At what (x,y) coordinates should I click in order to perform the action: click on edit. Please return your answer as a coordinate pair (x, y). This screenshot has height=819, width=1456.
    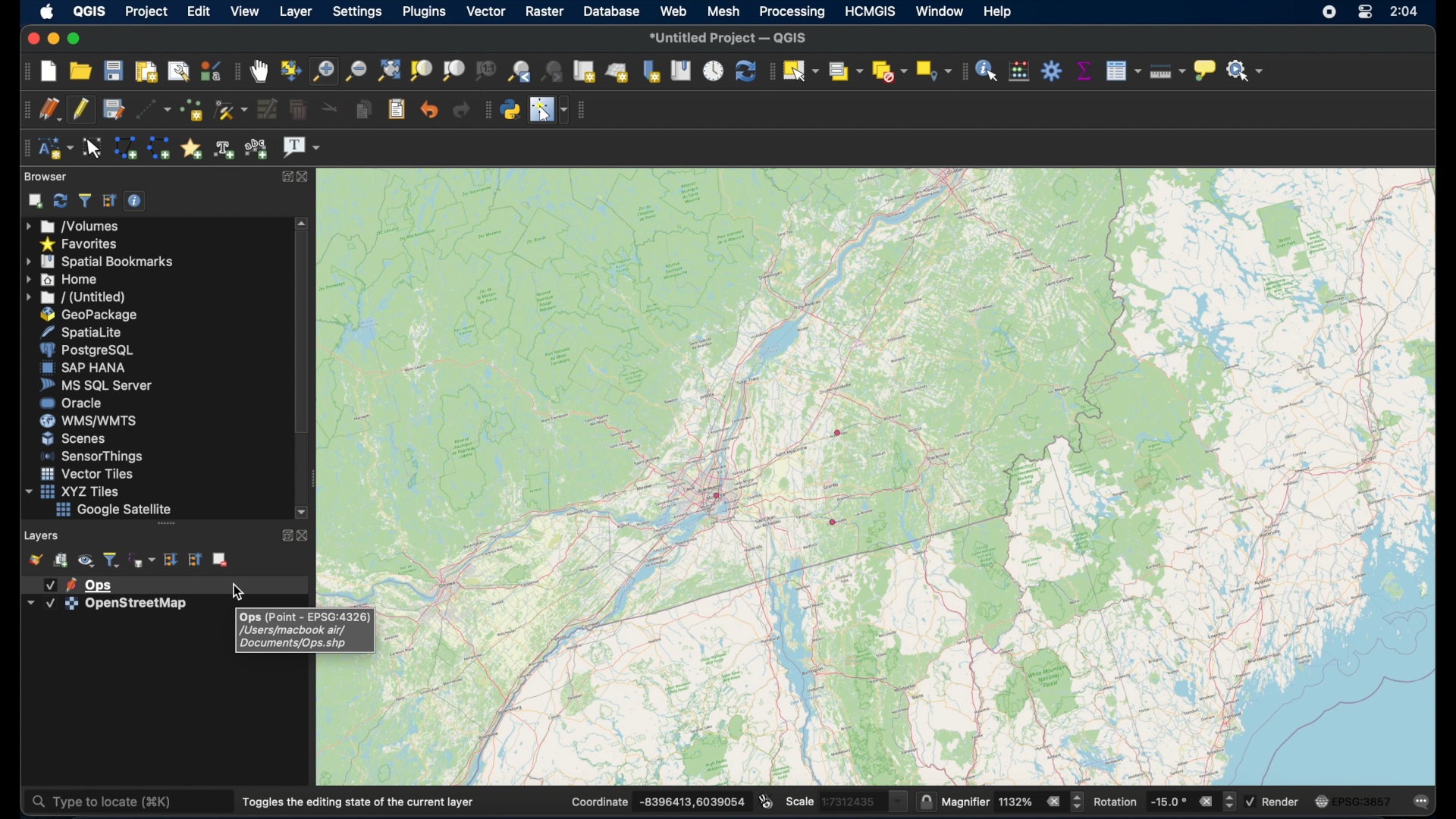
    Looking at the image, I should click on (199, 12).